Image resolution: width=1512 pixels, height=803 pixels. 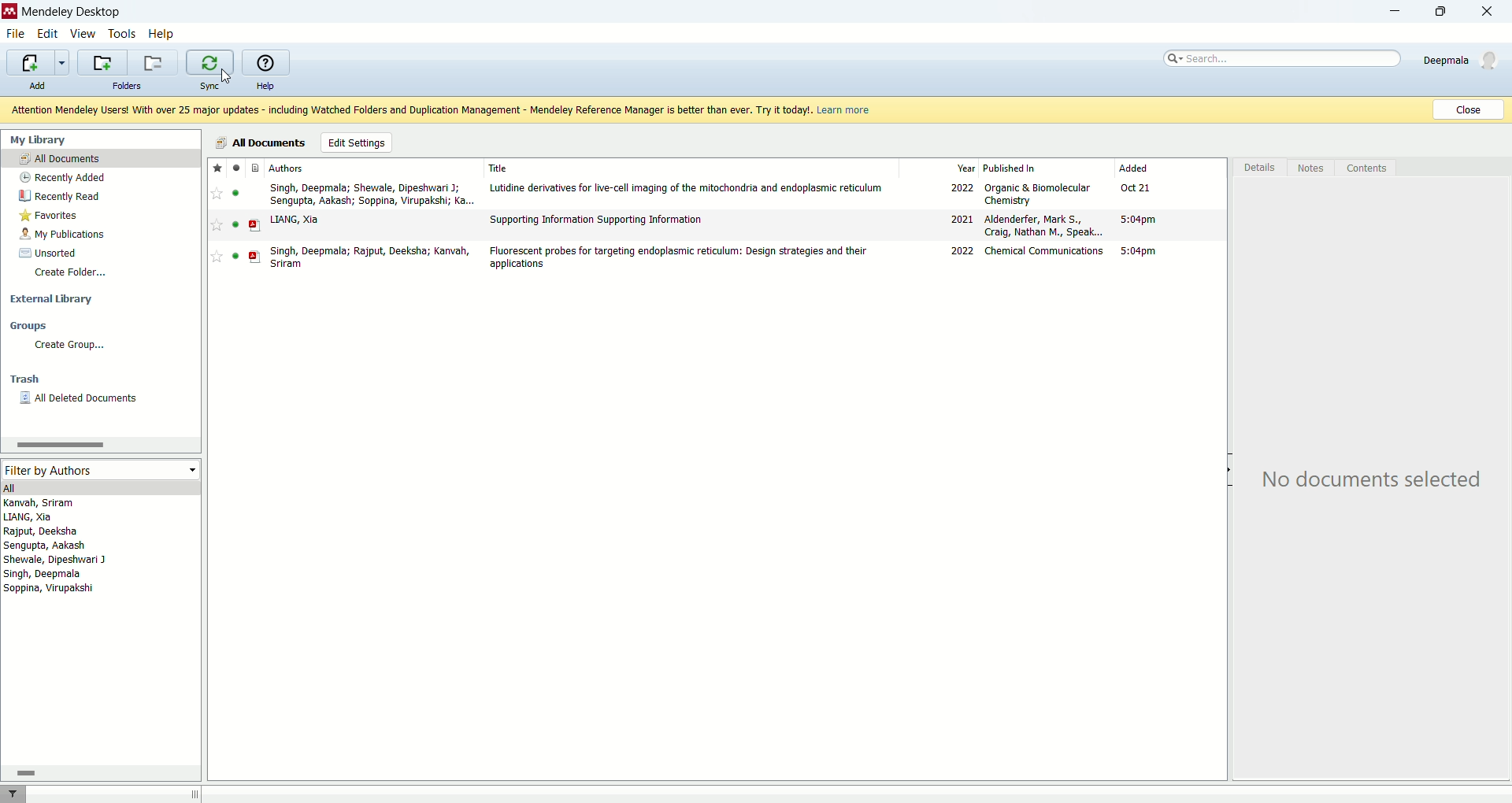 I want to click on my publications, so click(x=63, y=235).